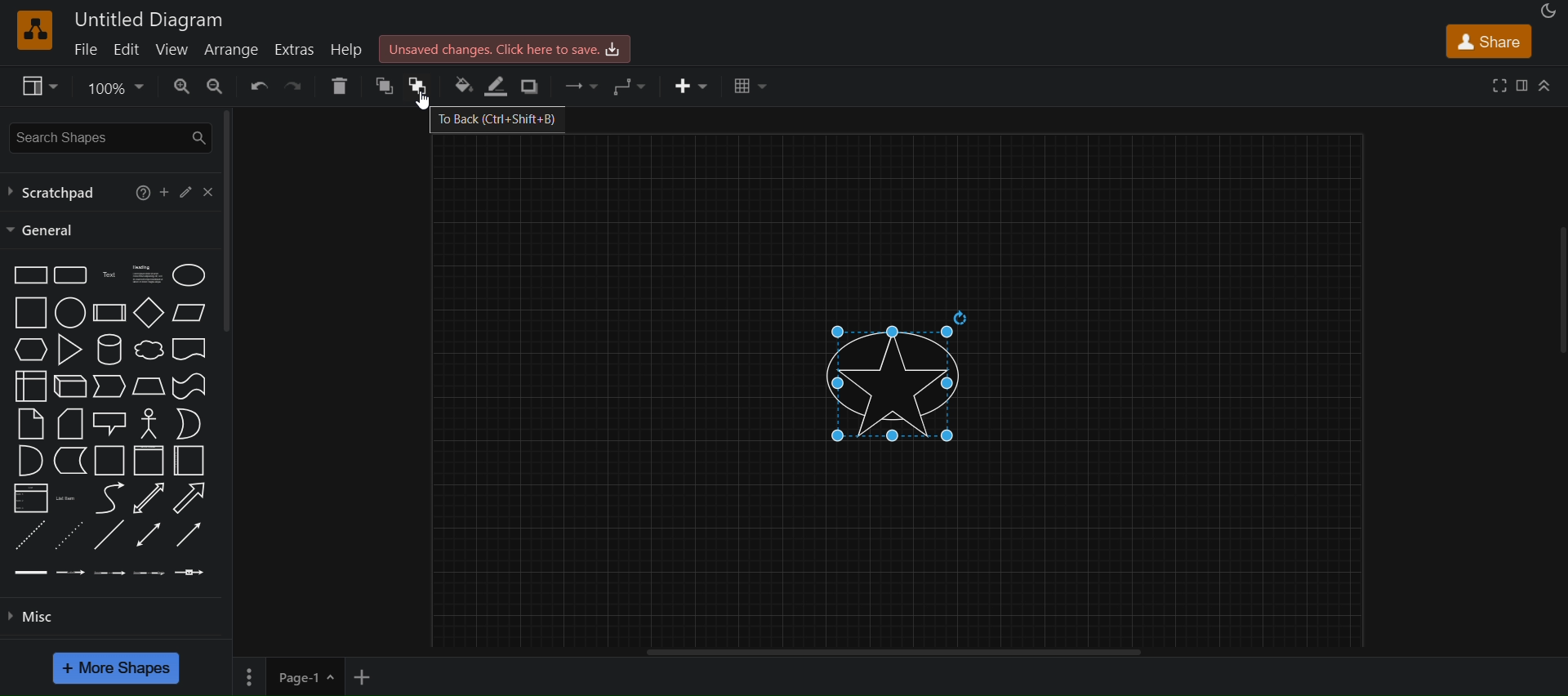 The height and width of the screenshot is (696, 1568). What do you see at coordinates (623, 85) in the screenshot?
I see `waypoints` at bounding box center [623, 85].